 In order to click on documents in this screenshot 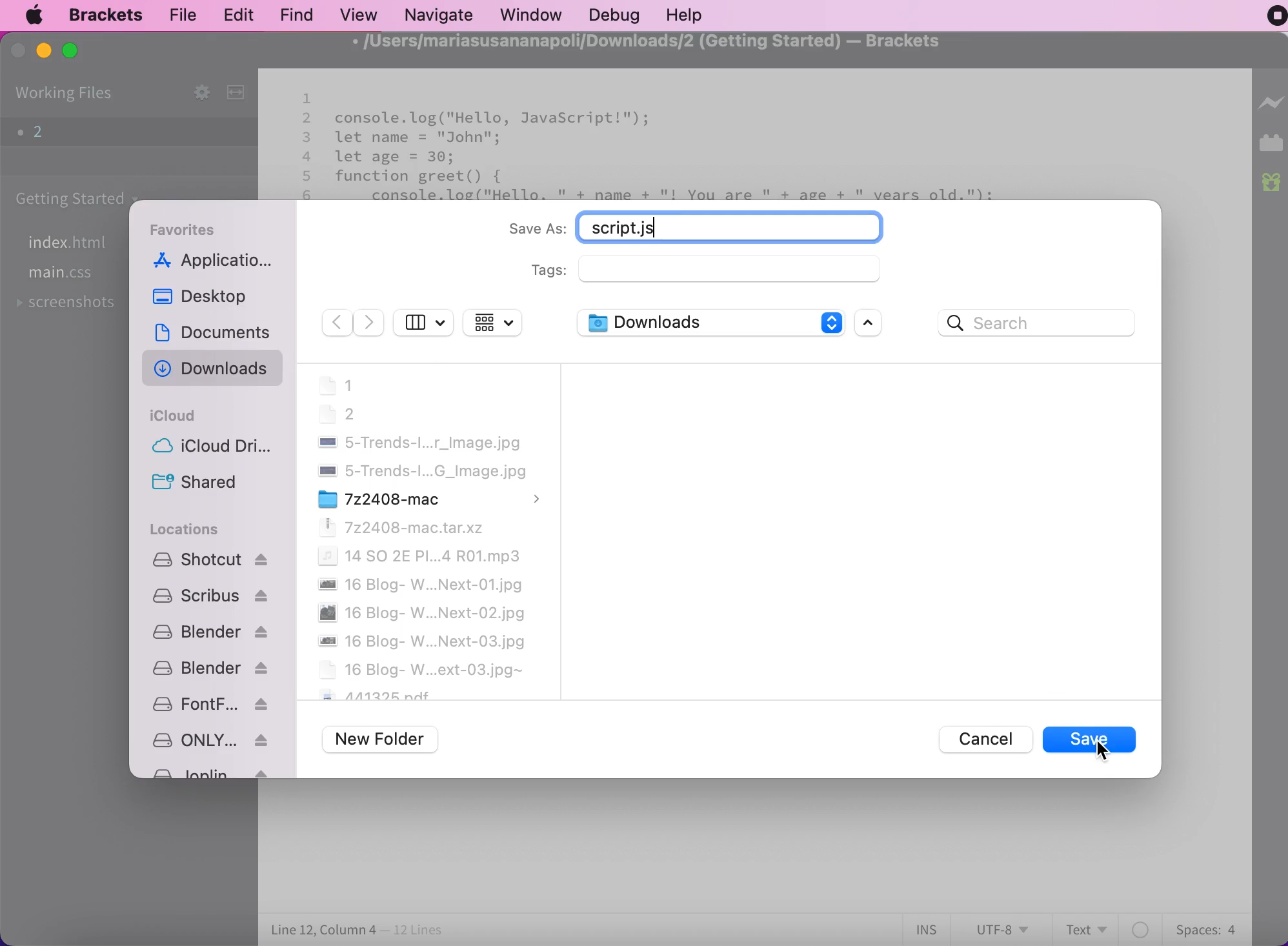, I will do `click(220, 330)`.